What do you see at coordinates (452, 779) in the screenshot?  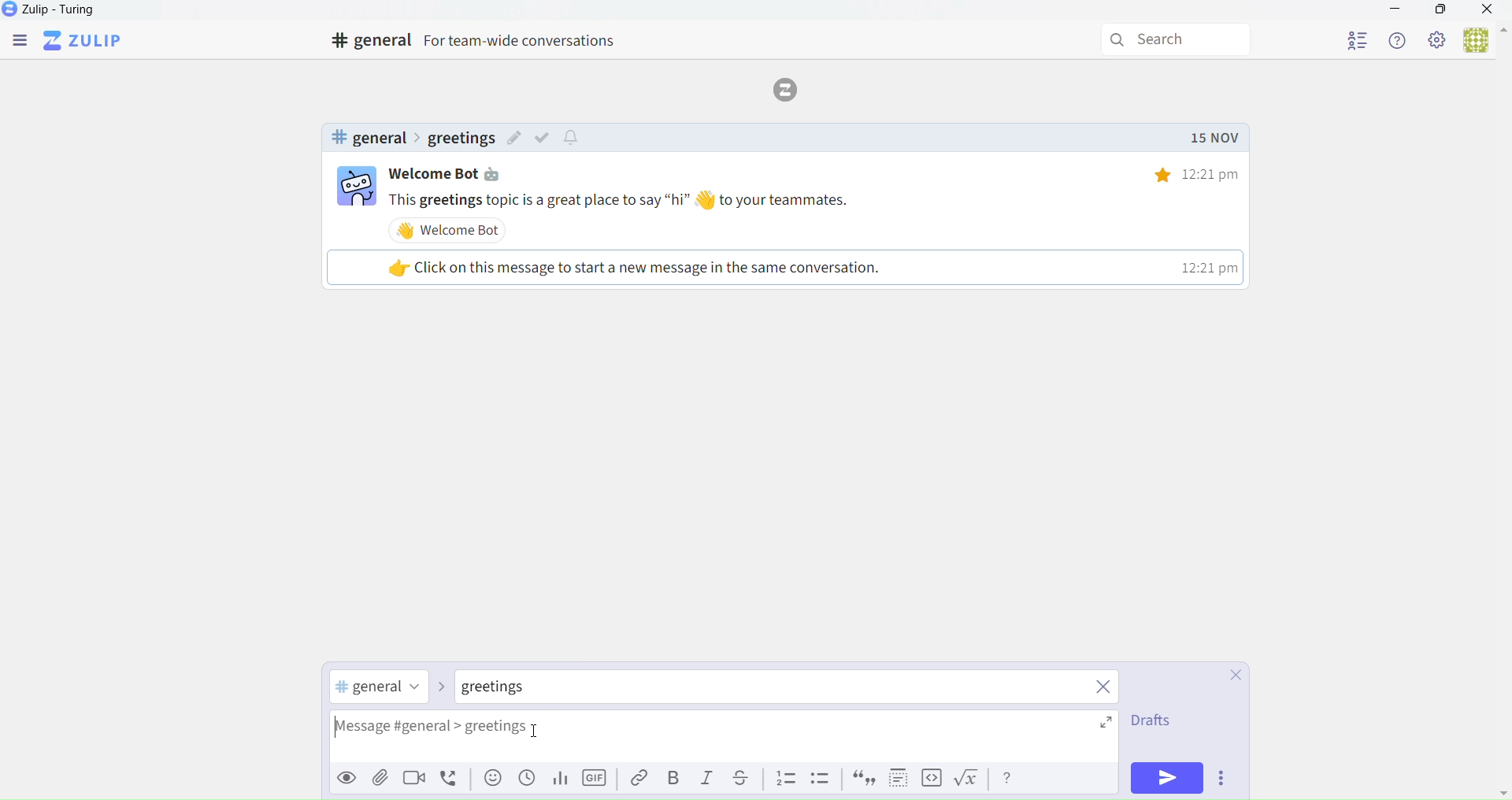 I see `Voicecall` at bounding box center [452, 779].